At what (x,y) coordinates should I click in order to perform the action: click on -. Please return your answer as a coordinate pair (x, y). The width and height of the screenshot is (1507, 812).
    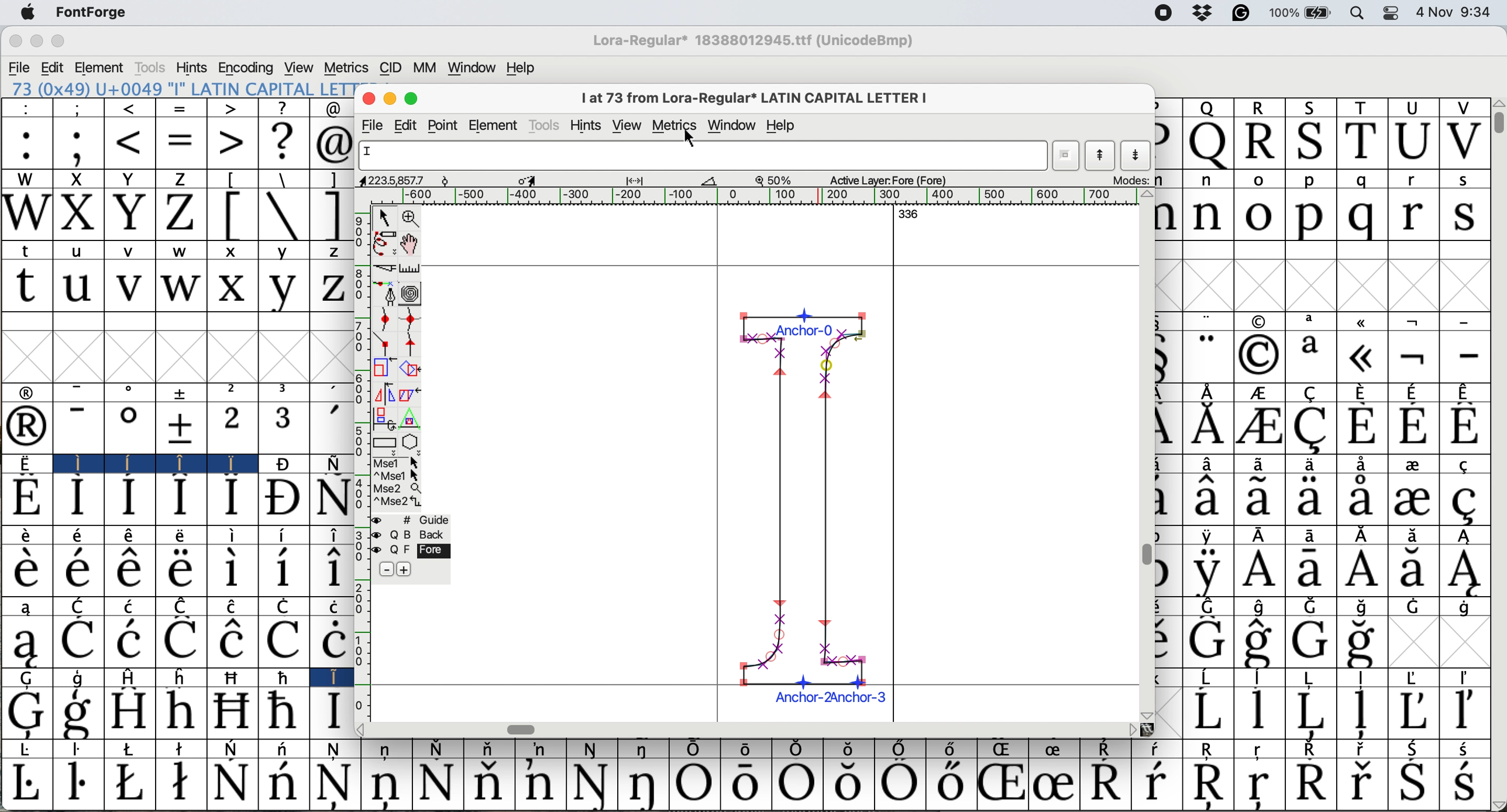
    Looking at the image, I should click on (80, 391).